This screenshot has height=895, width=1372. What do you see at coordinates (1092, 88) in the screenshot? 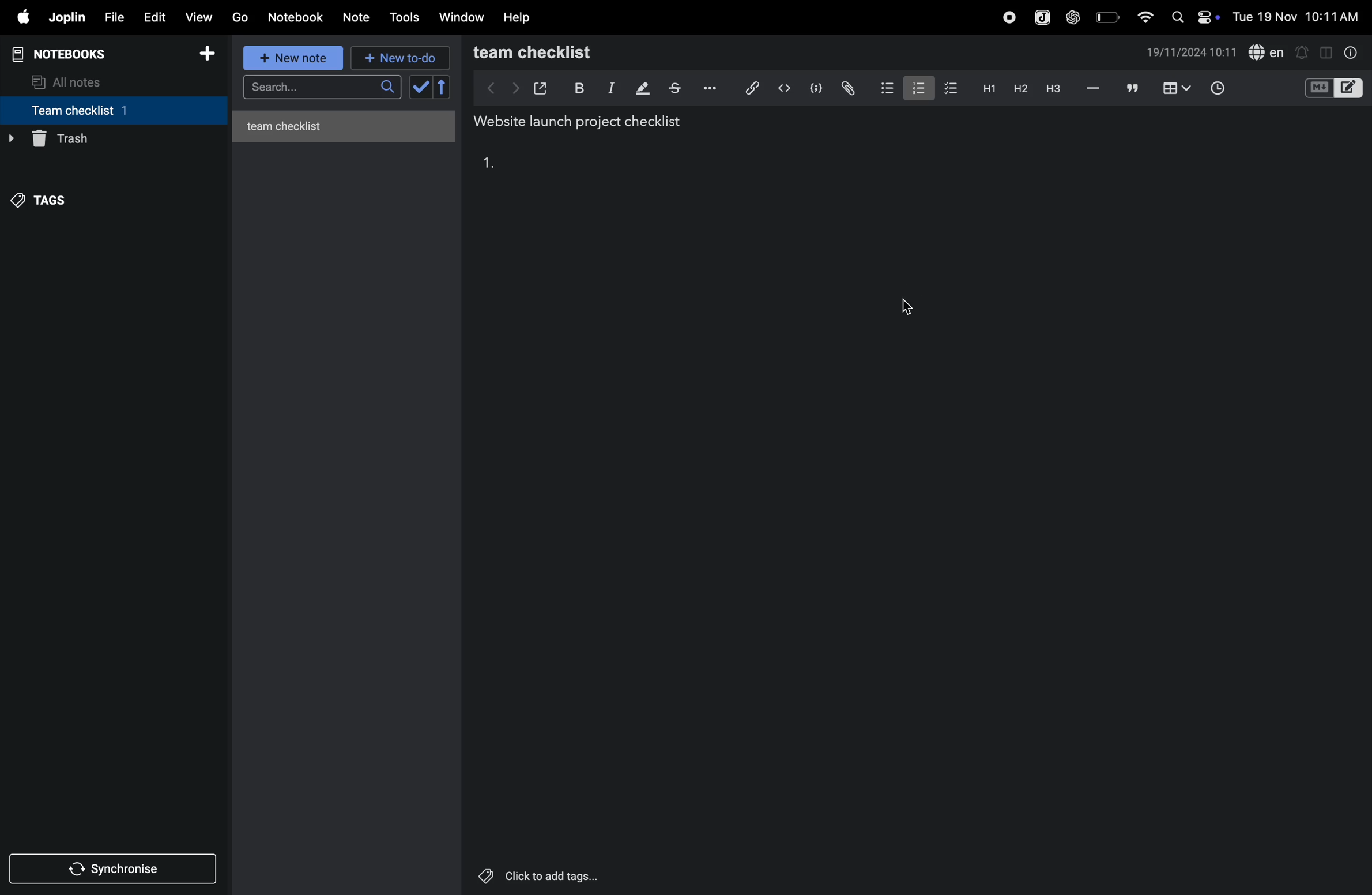
I see `hifen` at bounding box center [1092, 88].